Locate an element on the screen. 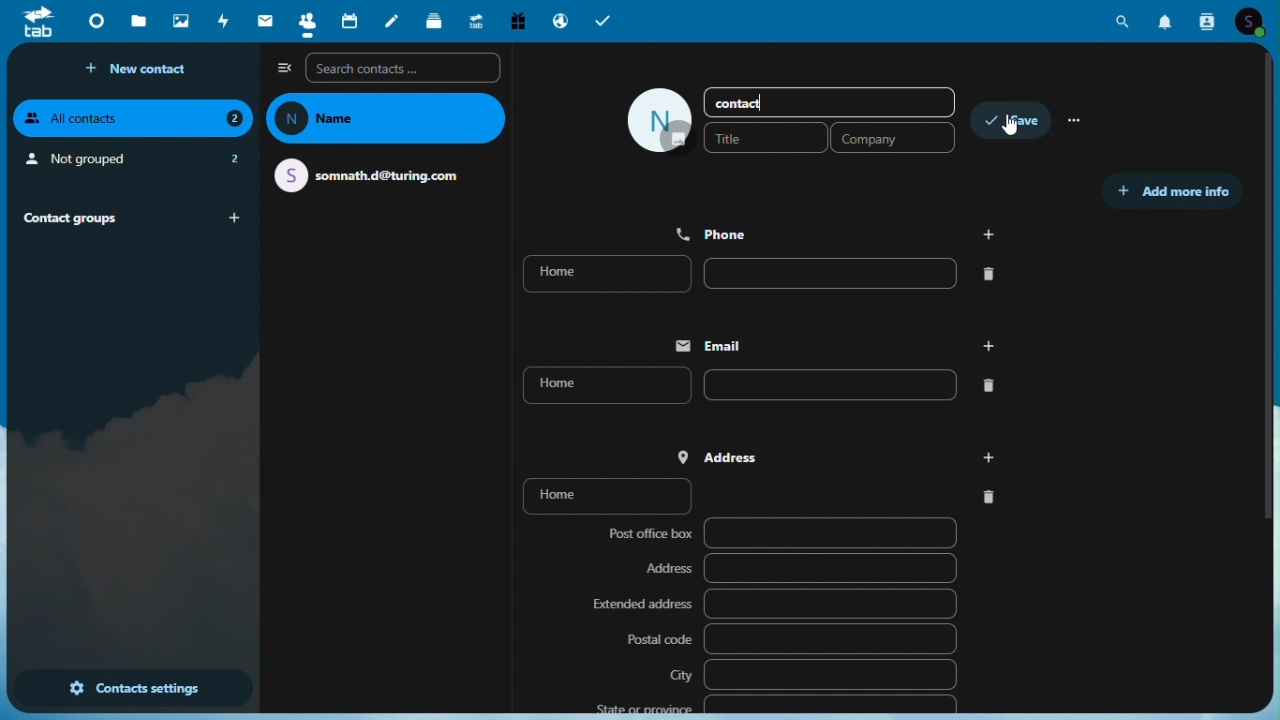 This screenshot has width=1280, height=720. Add more info is located at coordinates (1171, 192).